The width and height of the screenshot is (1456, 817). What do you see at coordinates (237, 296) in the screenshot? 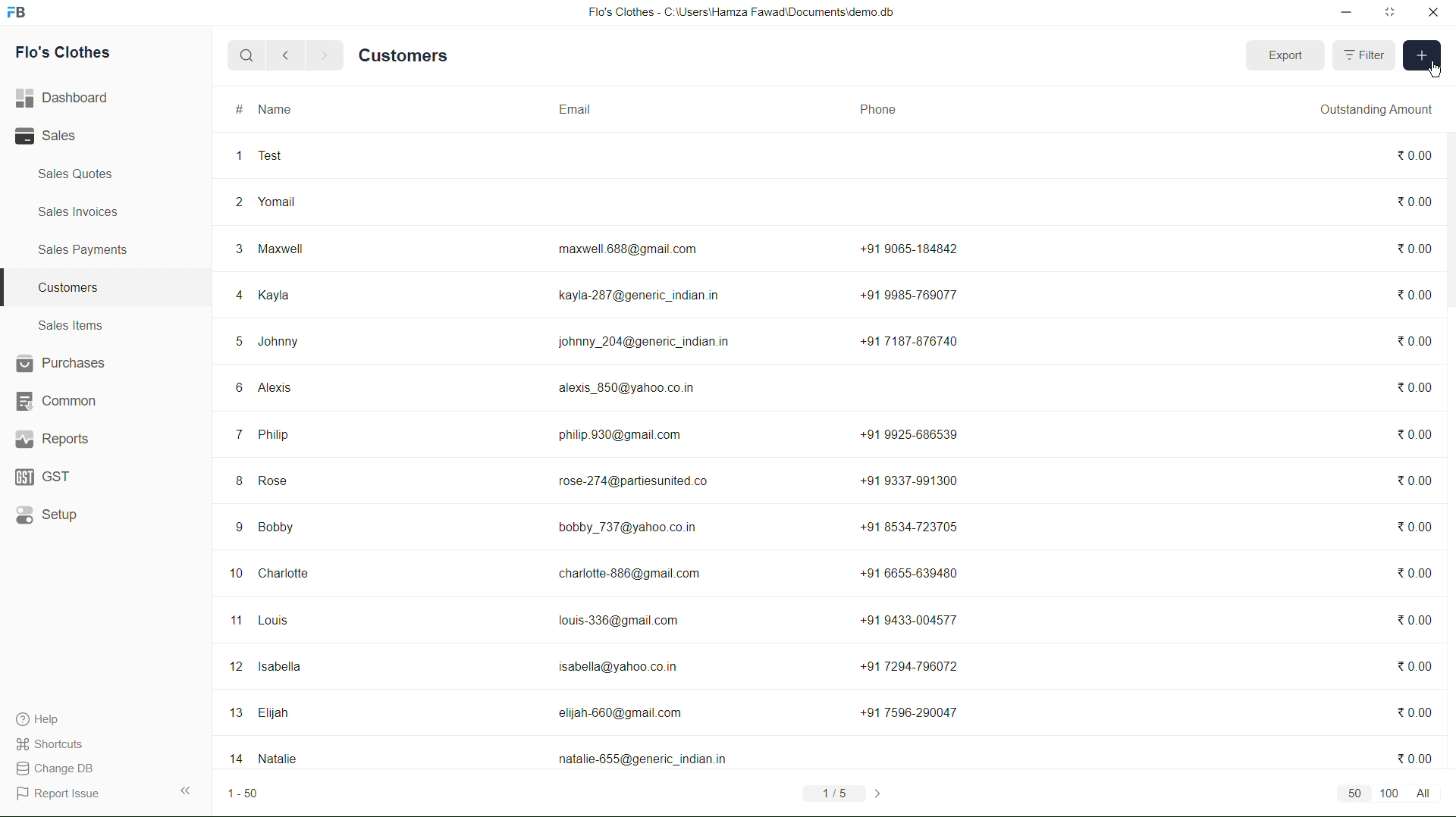
I see `4` at bounding box center [237, 296].